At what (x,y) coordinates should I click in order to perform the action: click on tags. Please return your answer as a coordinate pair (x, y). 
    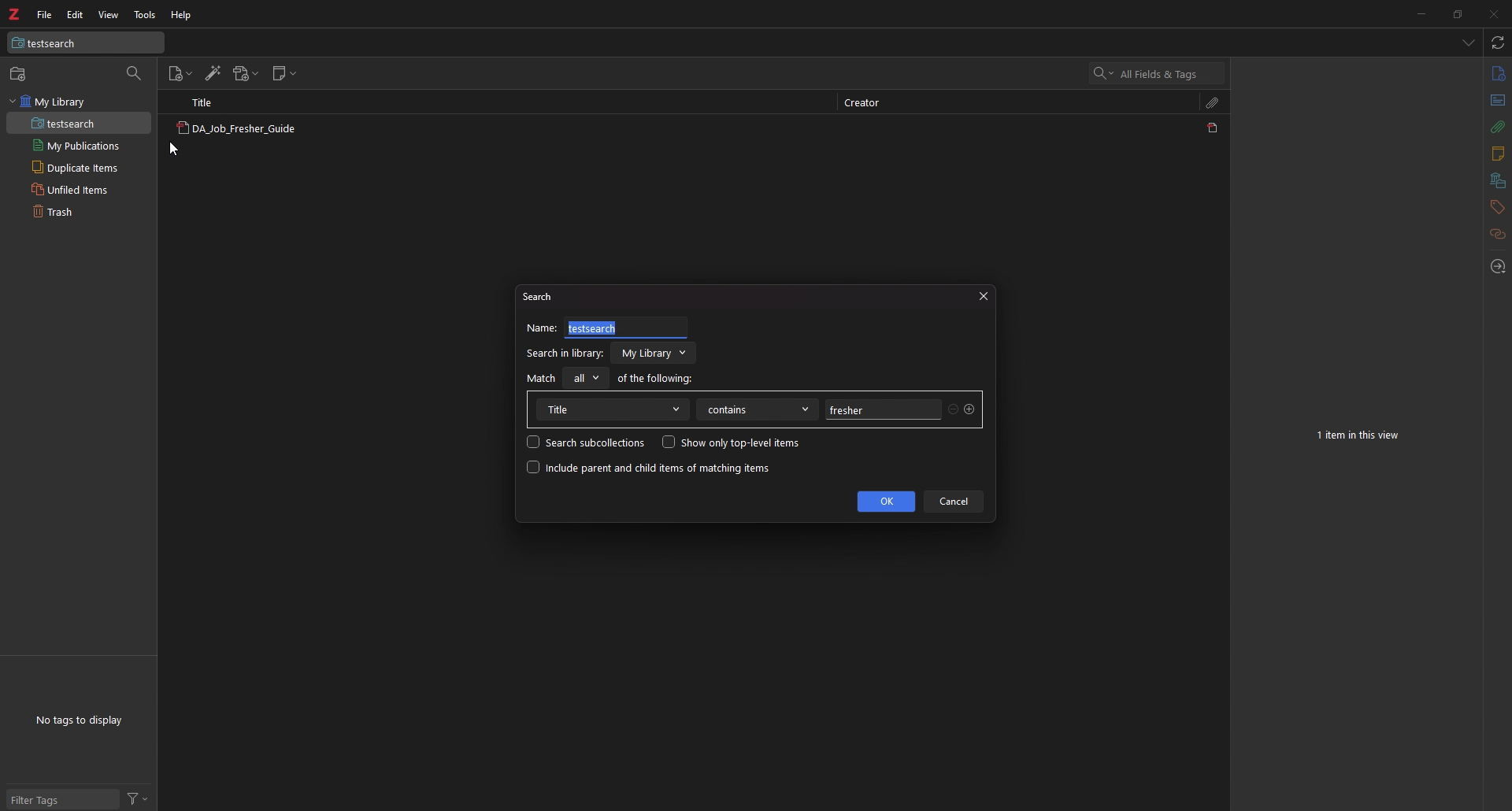
    Looking at the image, I should click on (1497, 207).